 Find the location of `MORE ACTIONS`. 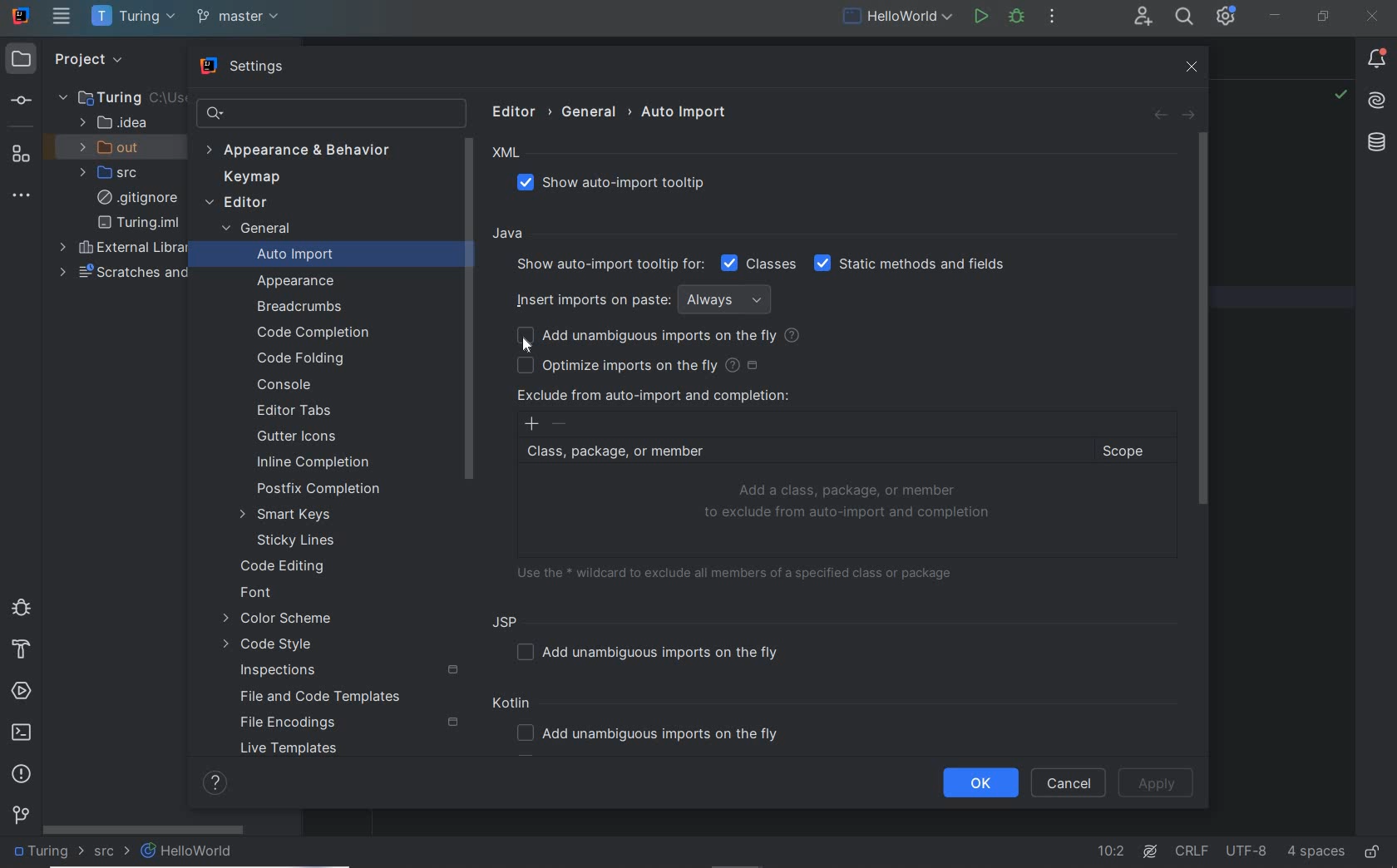

MORE ACTIONS is located at coordinates (1052, 15).